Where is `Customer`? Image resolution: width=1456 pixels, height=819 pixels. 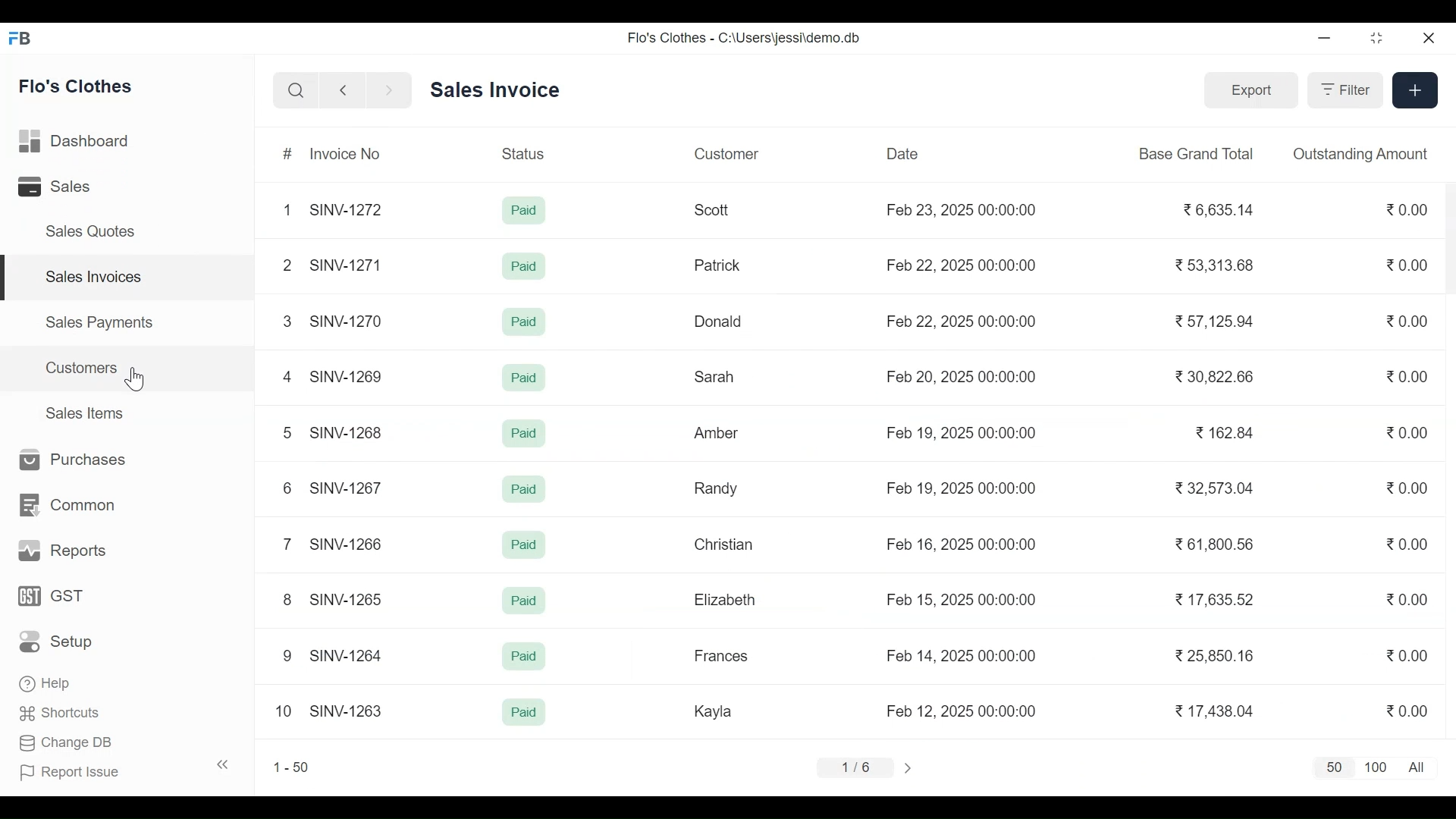 Customer is located at coordinates (726, 155).